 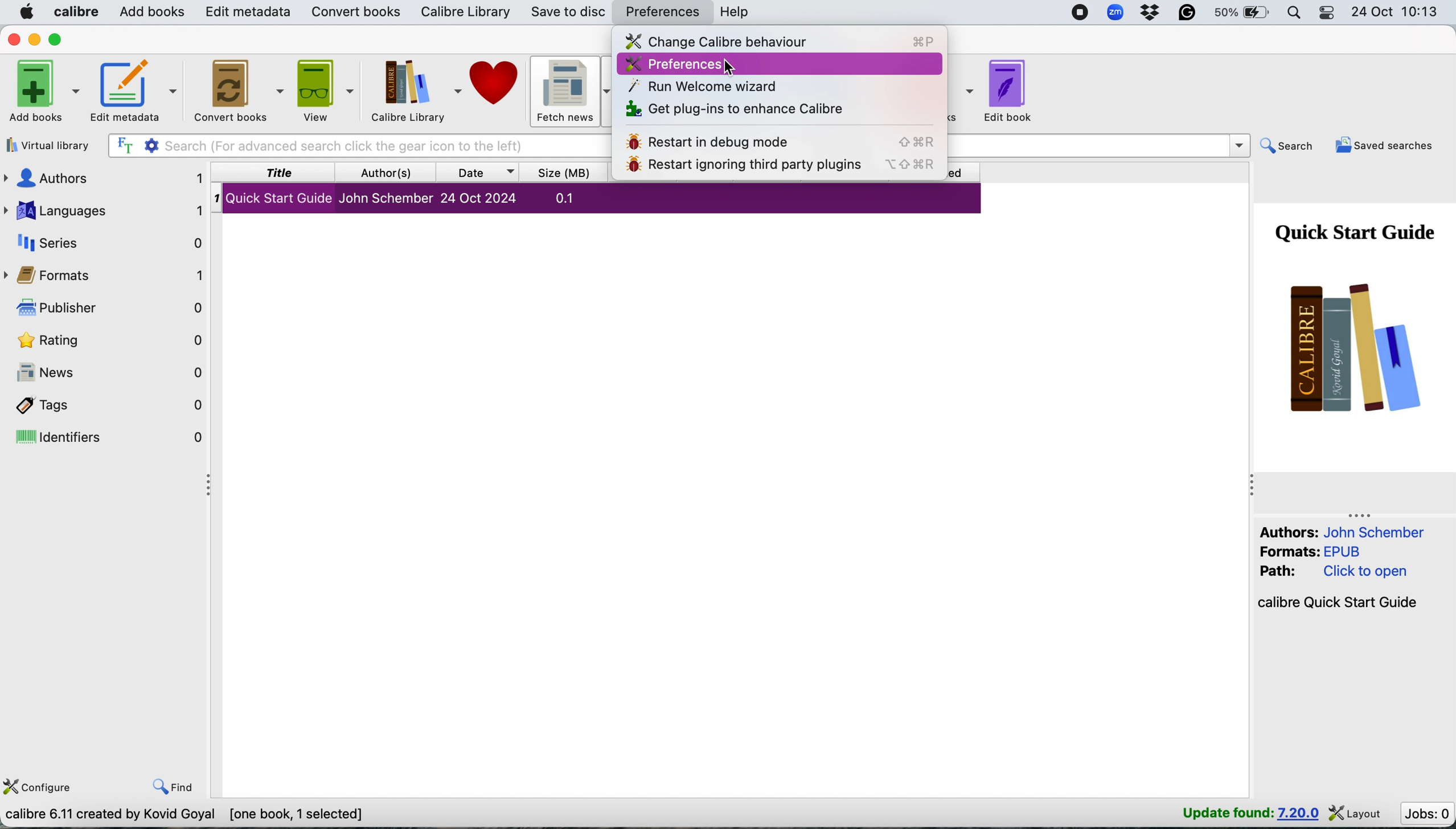 I want to click on dropbox, so click(x=1149, y=13).